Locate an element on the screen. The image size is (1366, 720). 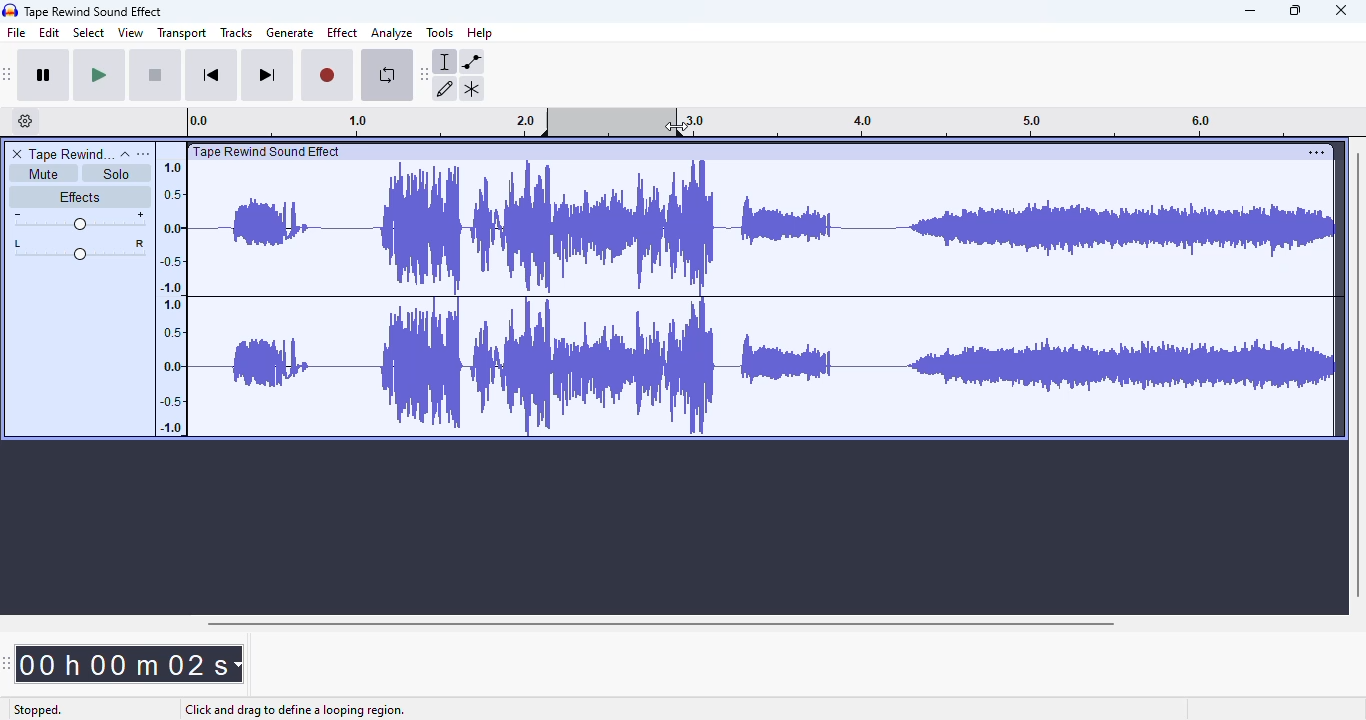
edit is located at coordinates (50, 33).